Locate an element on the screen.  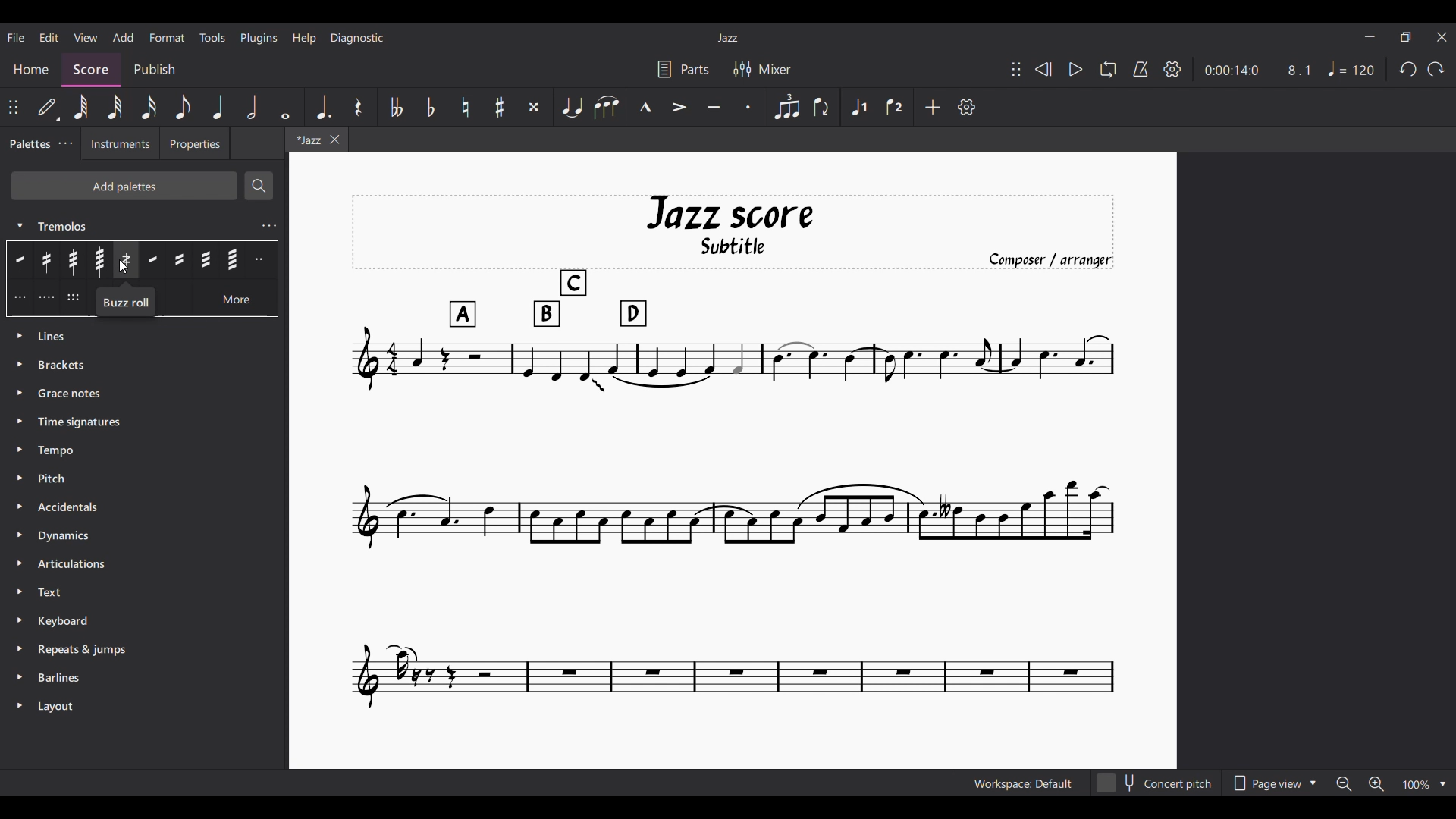
*Jazz - Current tab is located at coordinates (306, 139).